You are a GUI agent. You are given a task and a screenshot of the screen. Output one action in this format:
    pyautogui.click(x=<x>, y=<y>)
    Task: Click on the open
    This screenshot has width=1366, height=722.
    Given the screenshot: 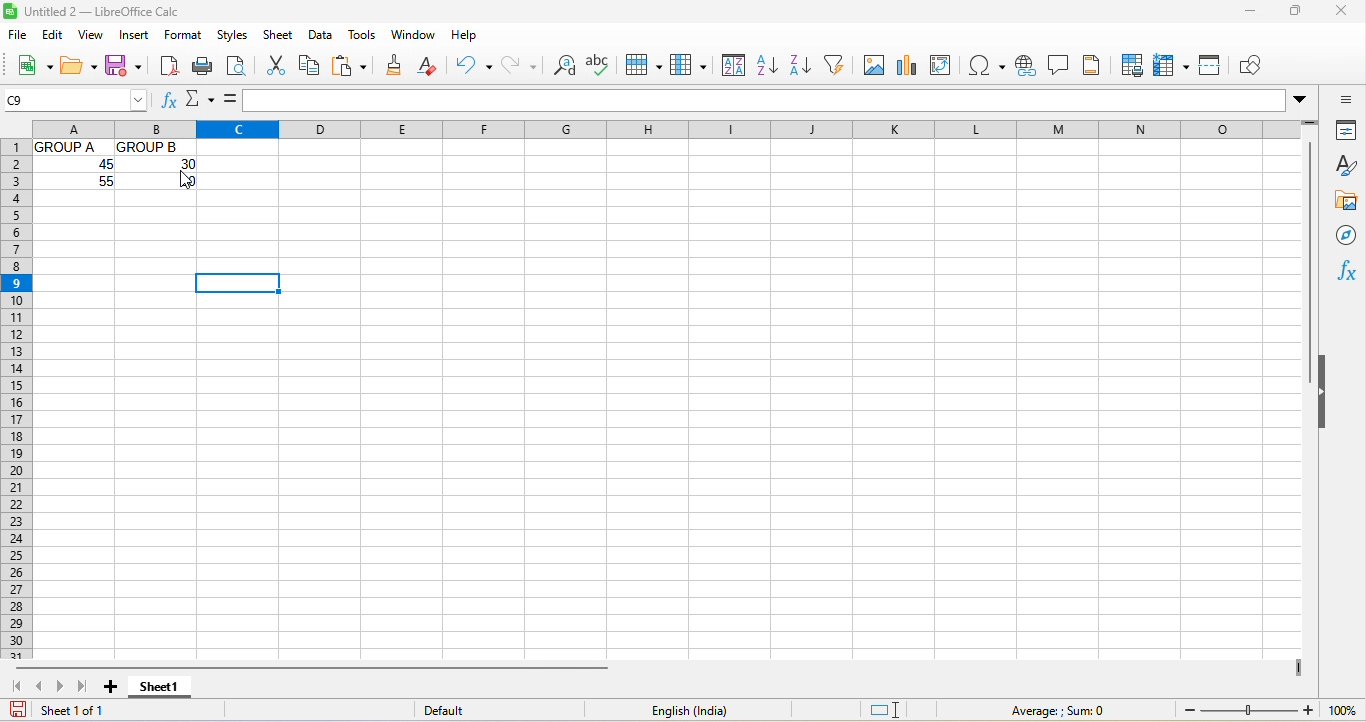 What is the action you would take?
    pyautogui.click(x=79, y=65)
    